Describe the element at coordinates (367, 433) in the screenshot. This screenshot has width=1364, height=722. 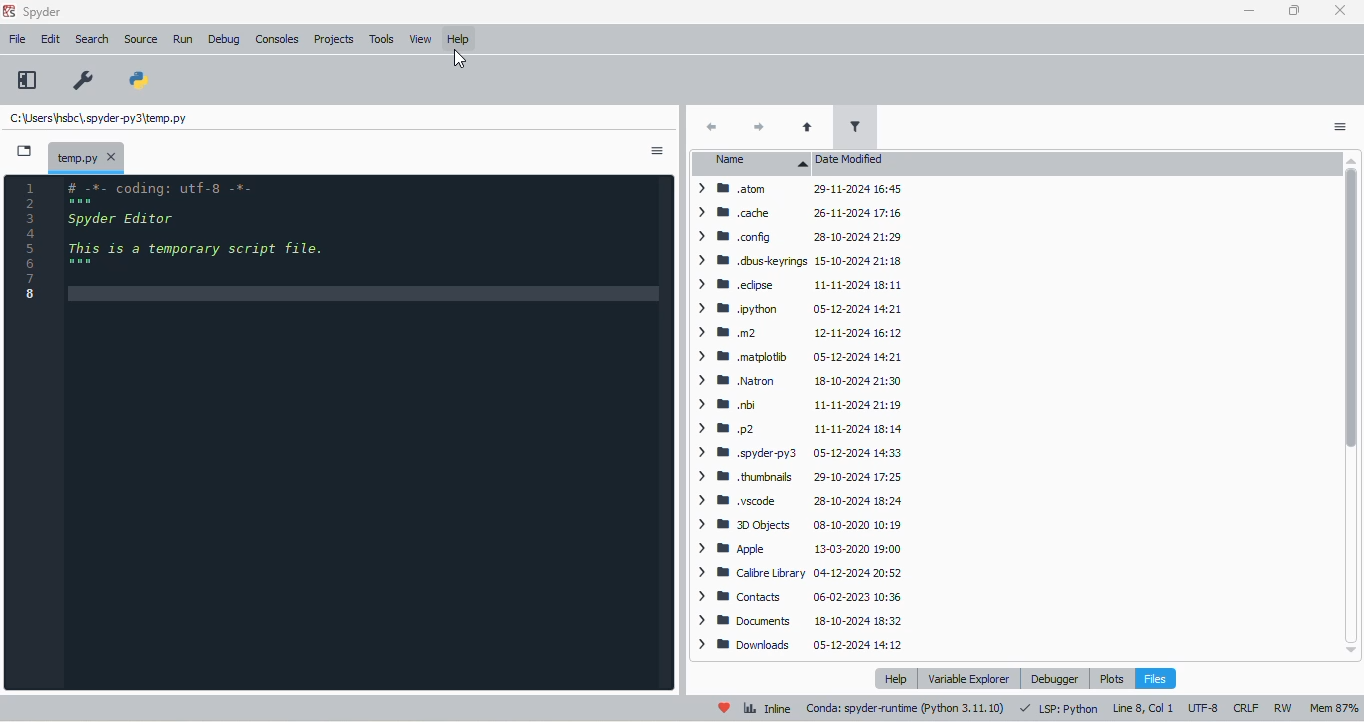
I see `editor` at that location.